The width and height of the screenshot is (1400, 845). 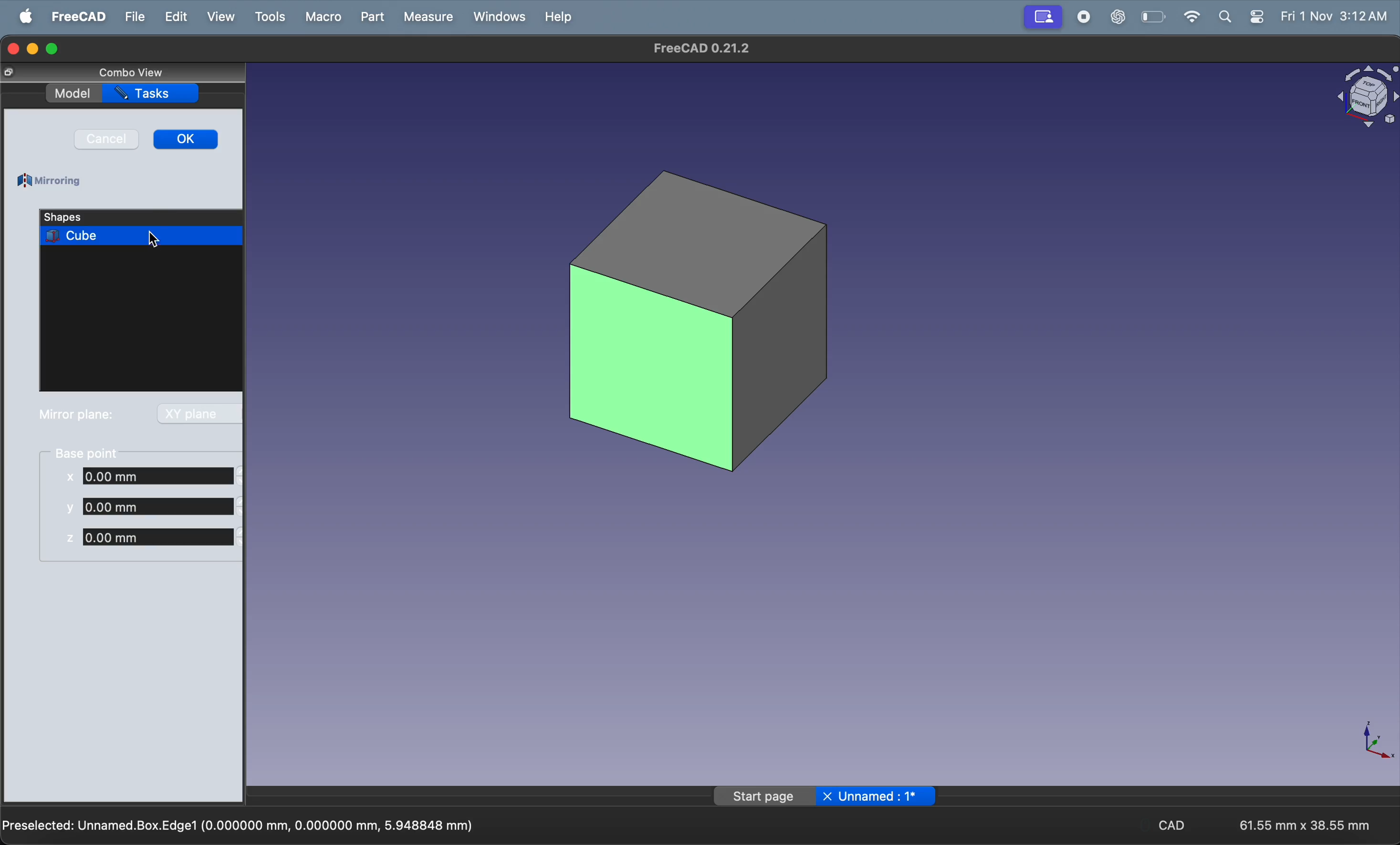 What do you see at coordinates (1224, 18) in the screenshot?
I see `search` at bounding box center [1224, 18].